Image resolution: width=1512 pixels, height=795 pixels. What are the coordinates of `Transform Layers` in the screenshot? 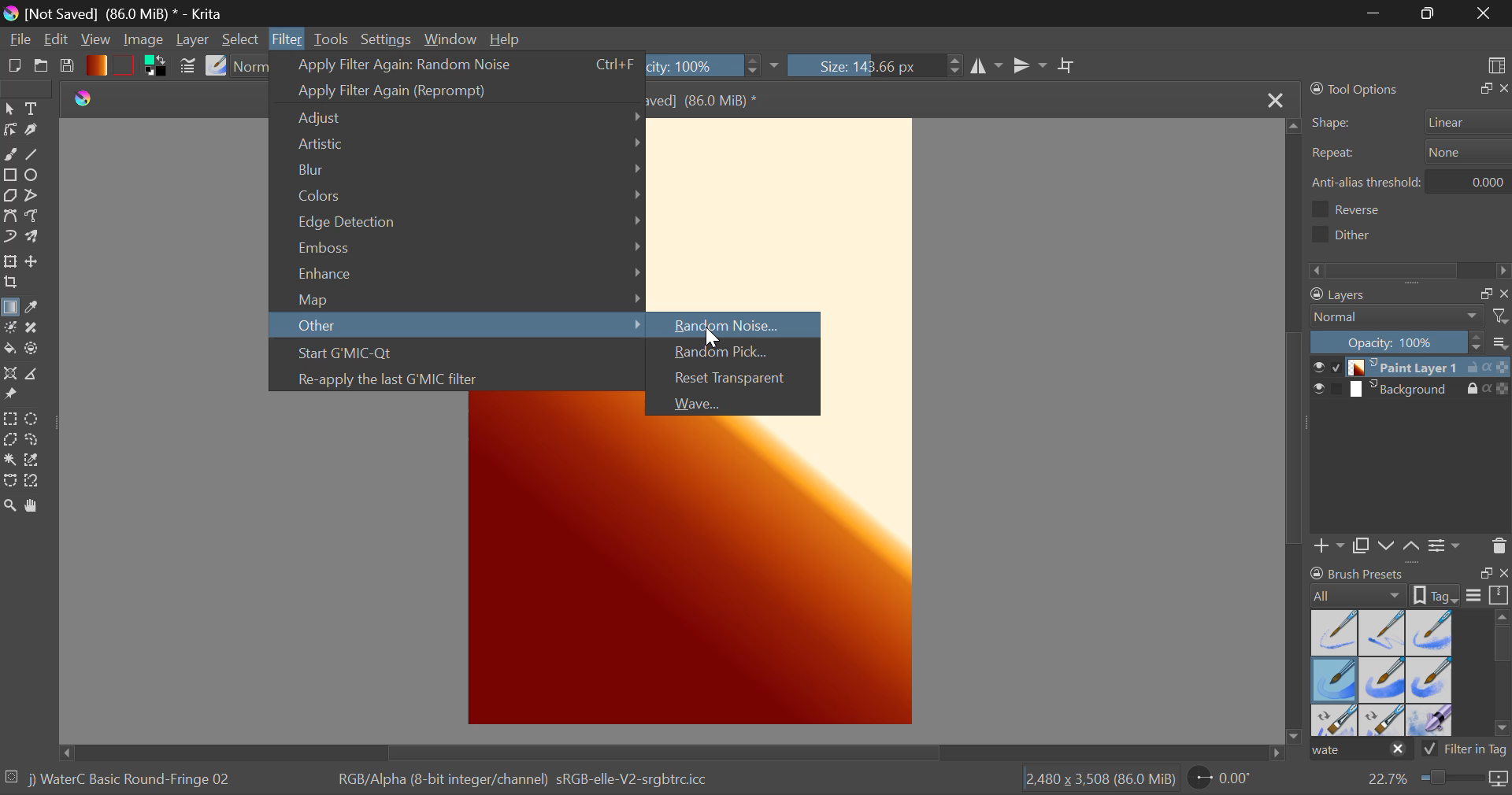 It's located at (9, 261).